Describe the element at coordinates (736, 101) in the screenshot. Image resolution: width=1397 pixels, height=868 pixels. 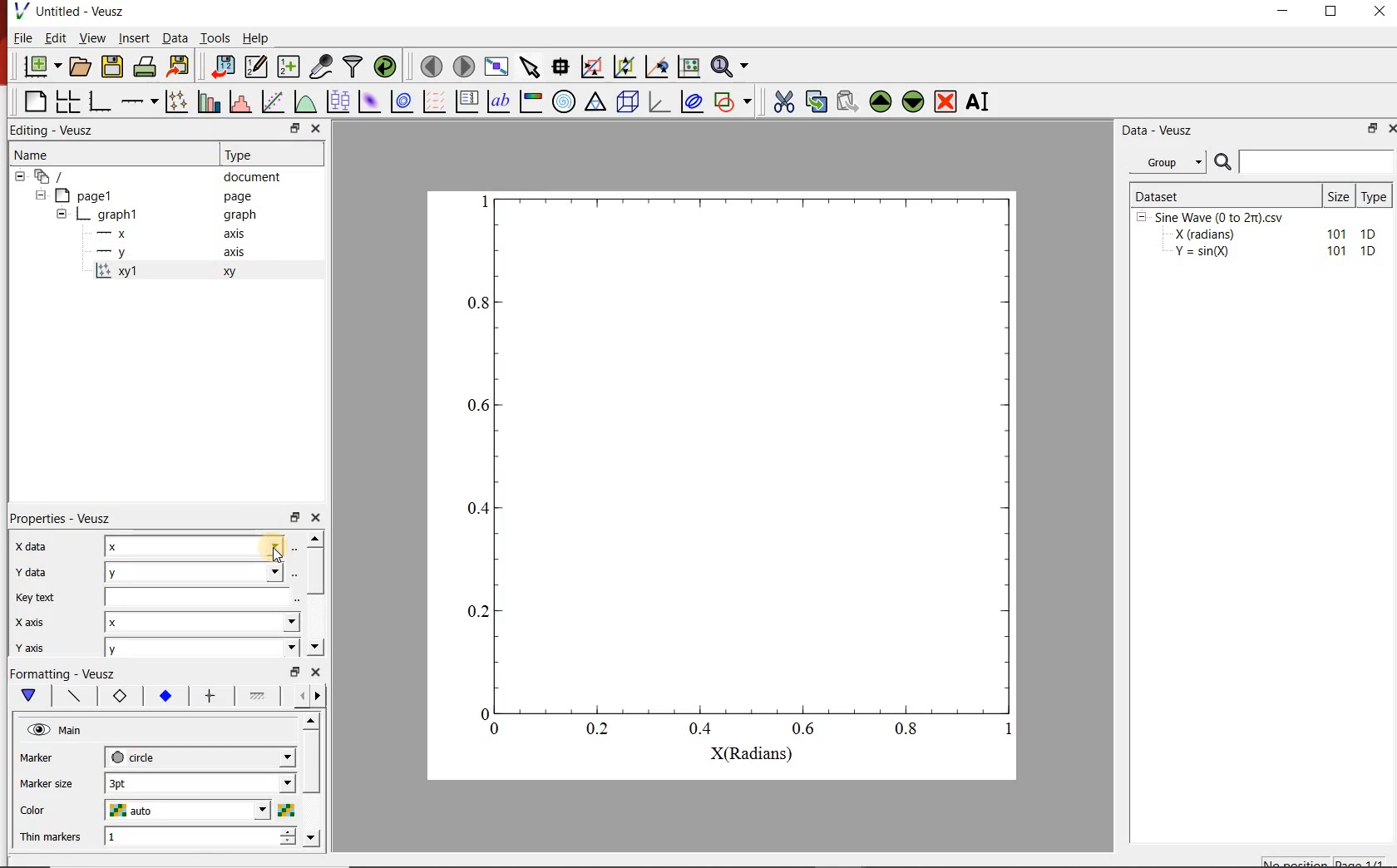
I see `add a shape to the plot` at that location.